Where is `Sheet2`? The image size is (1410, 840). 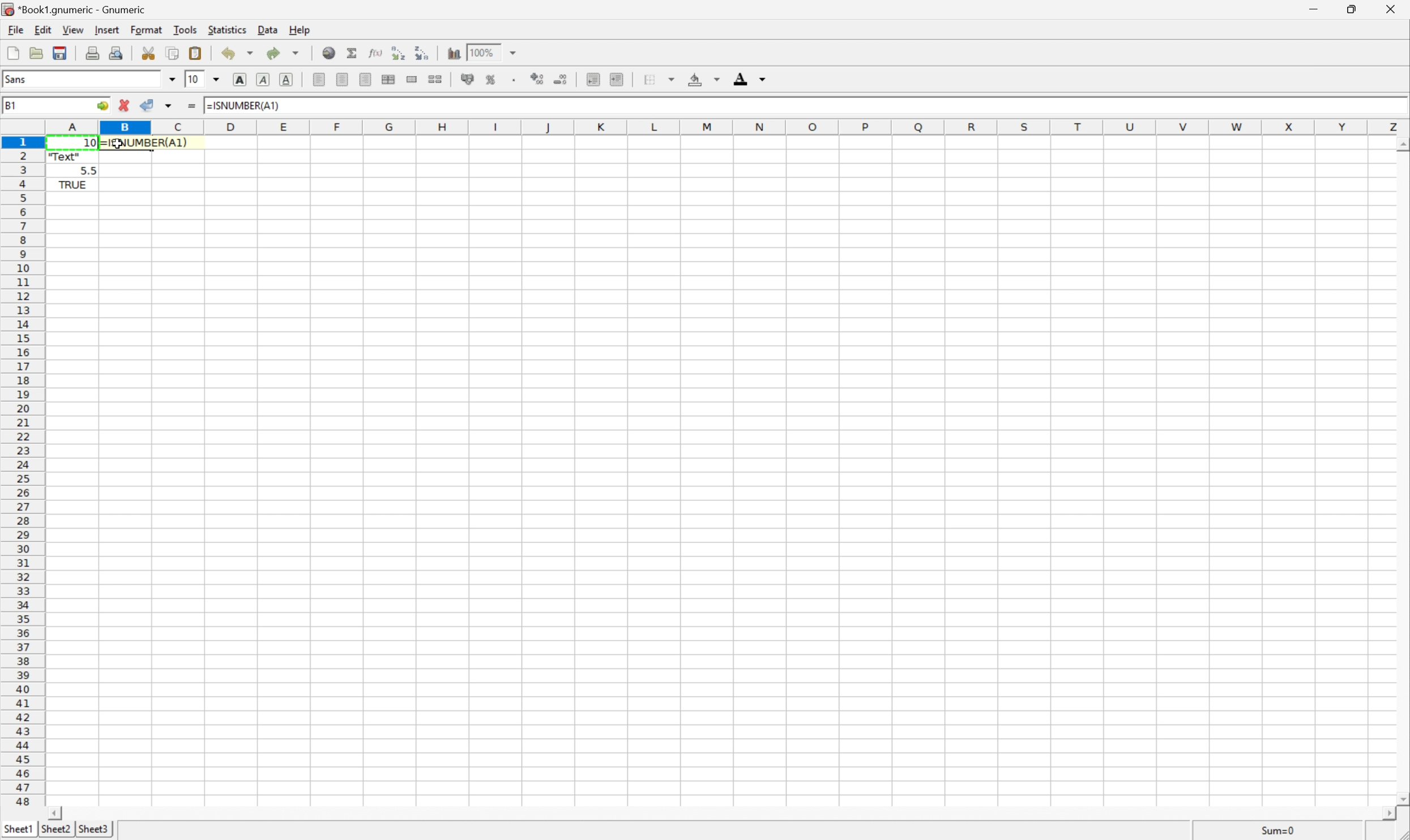
Sheet2 is located at coordinates (55, 830).